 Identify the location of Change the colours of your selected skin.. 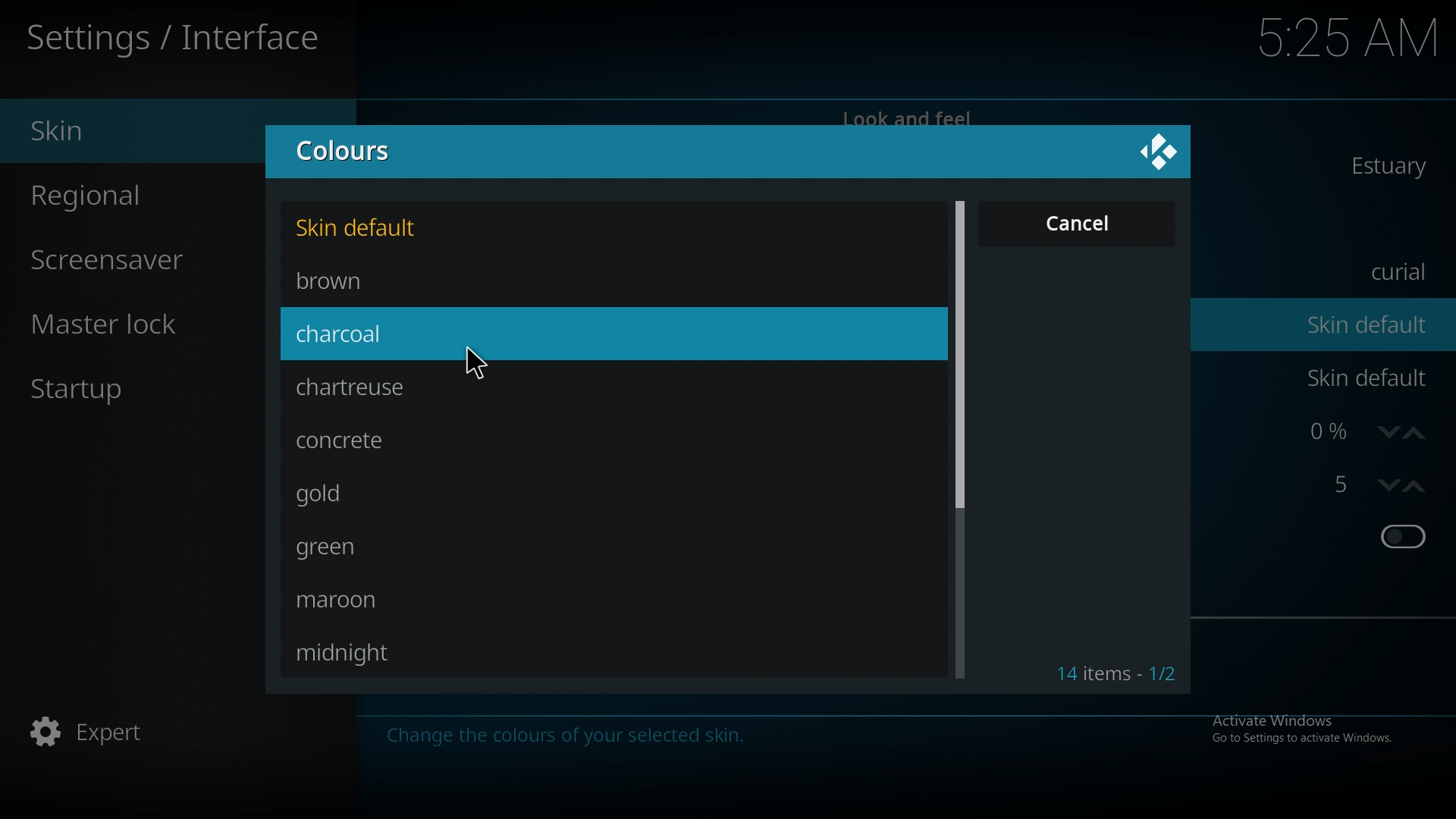
(574, 743).